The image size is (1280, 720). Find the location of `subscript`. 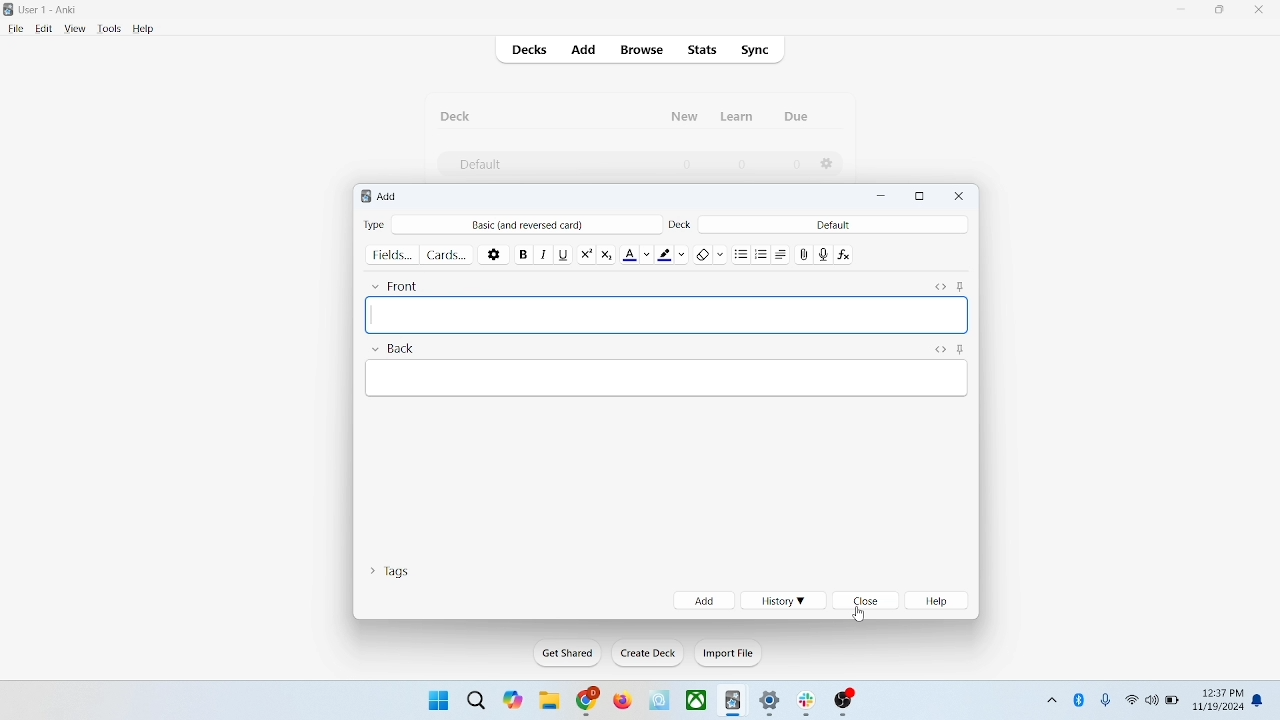

subscript is located at coordinates (606, 252).